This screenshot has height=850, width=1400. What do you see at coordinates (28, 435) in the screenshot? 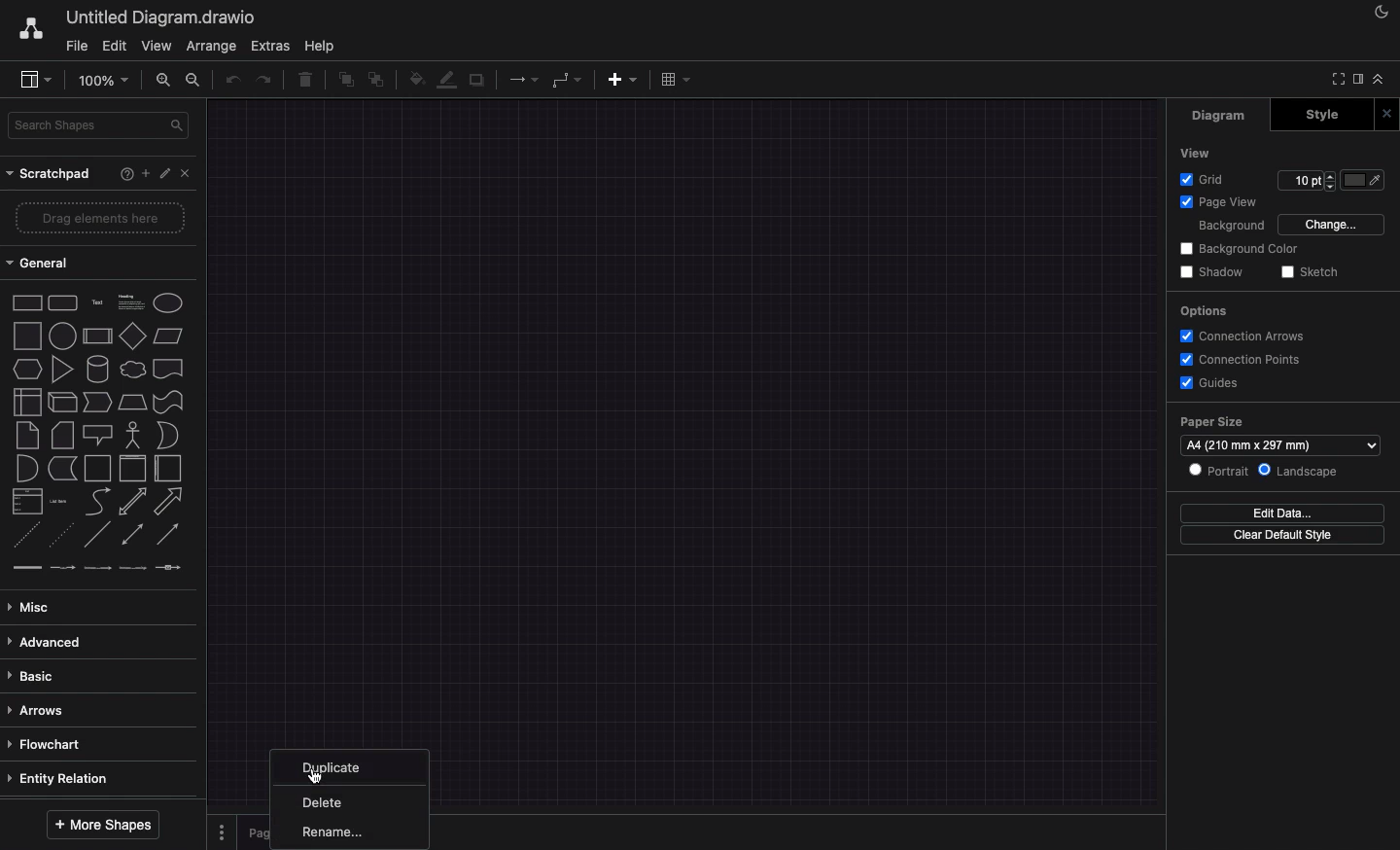
I see `note` at bounding box center [28, 435].